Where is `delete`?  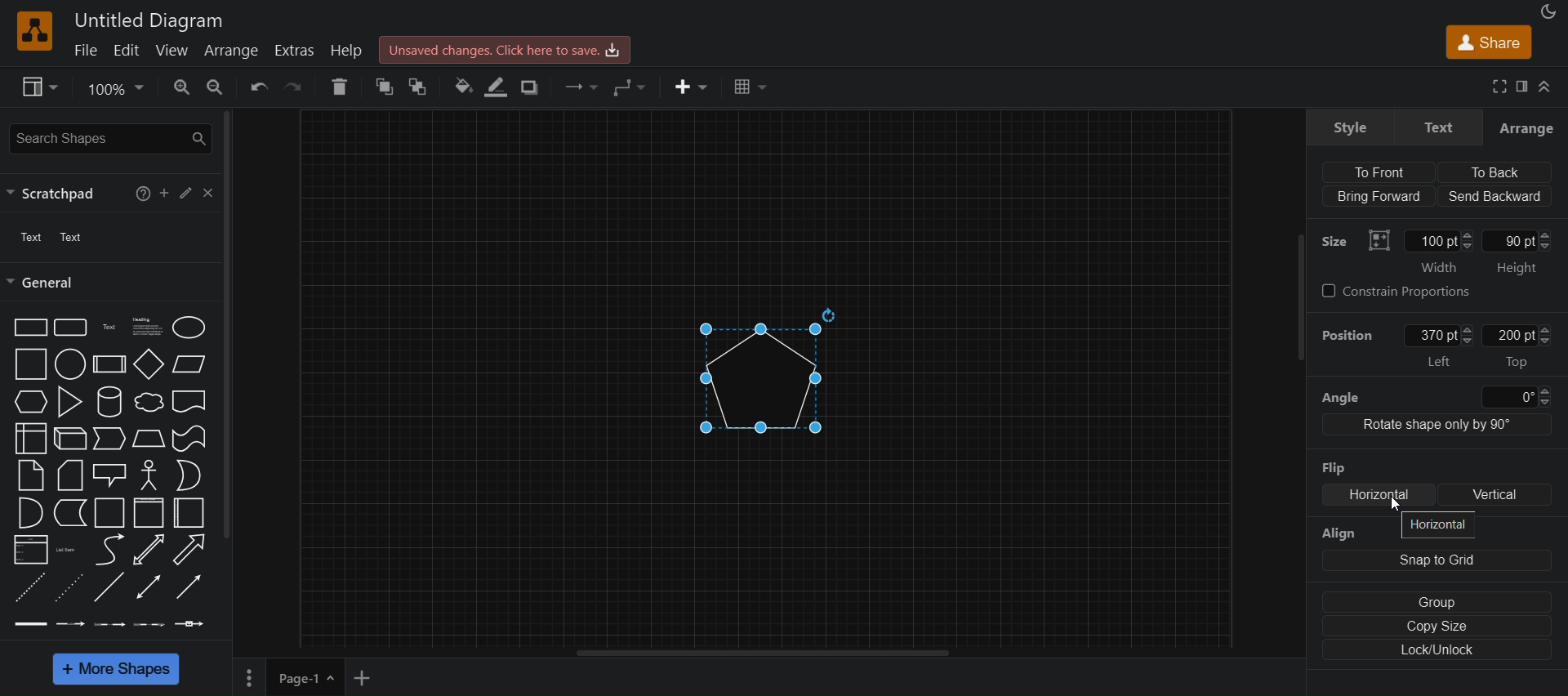 delete is located at coordinates (339, 86).